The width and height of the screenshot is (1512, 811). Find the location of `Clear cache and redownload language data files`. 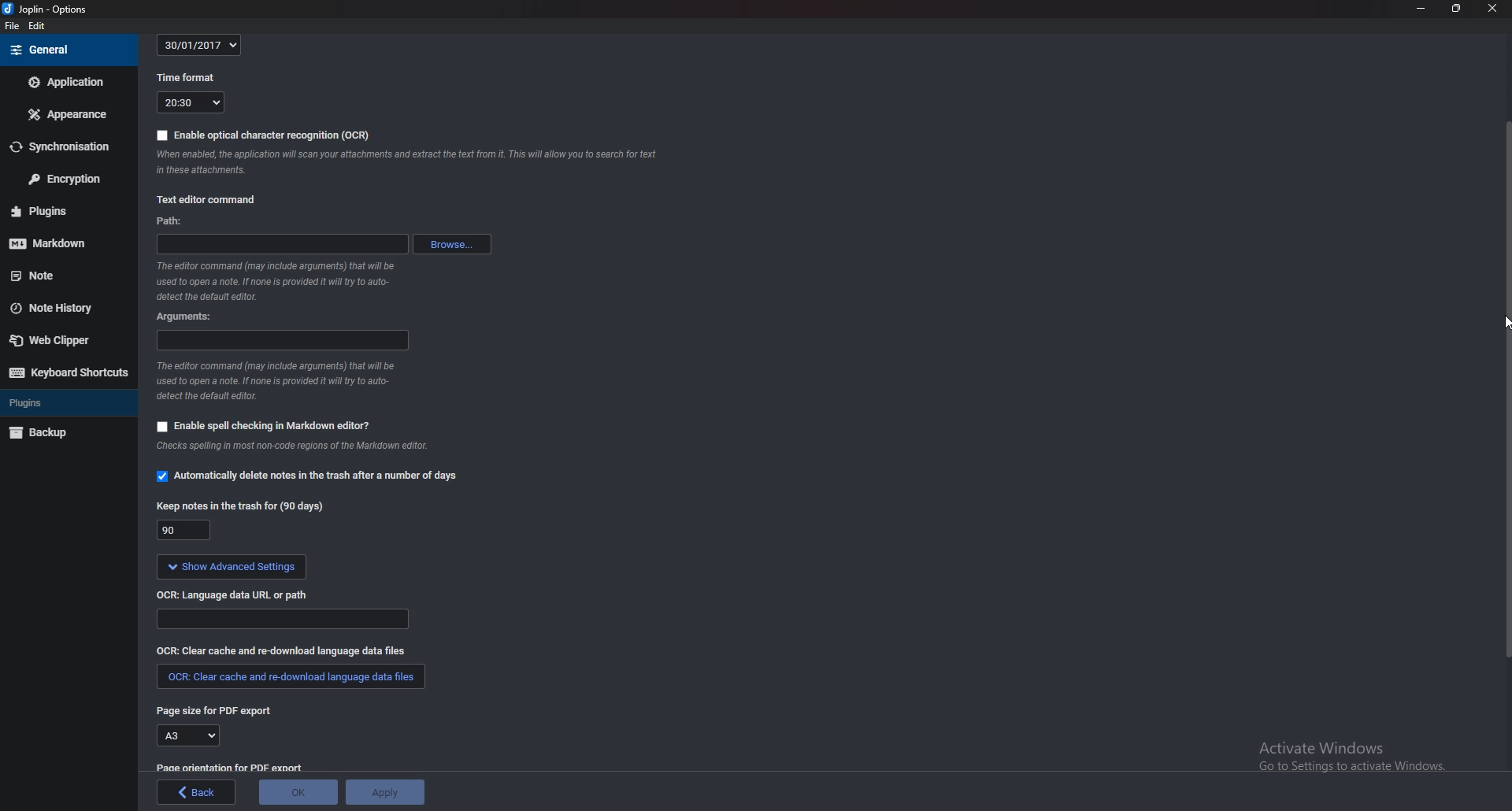

Clear cache and redownload language data files is located at coordinates (288, 678).